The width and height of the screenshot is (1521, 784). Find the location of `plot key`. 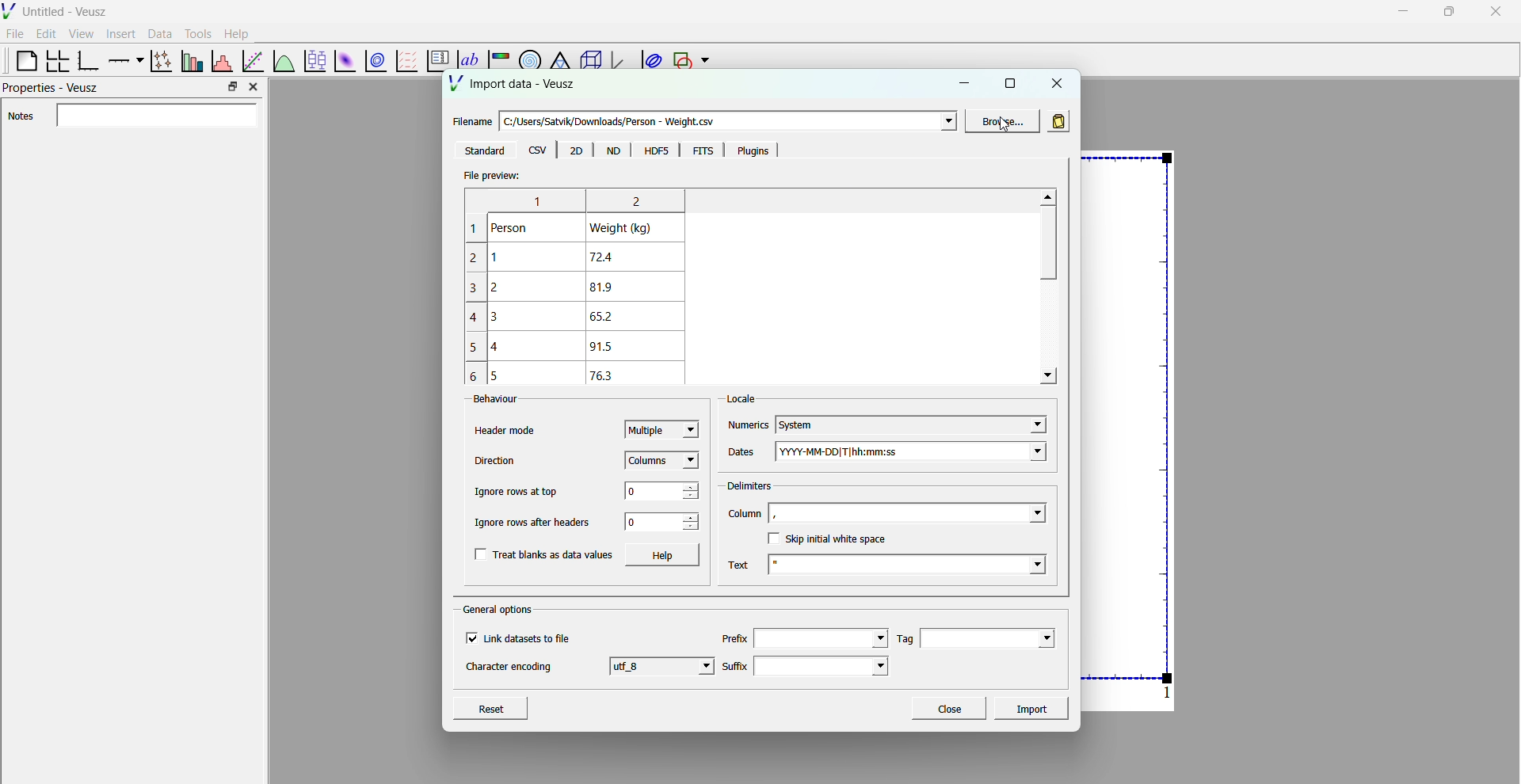

plot key is located at coordinates (435, 62).